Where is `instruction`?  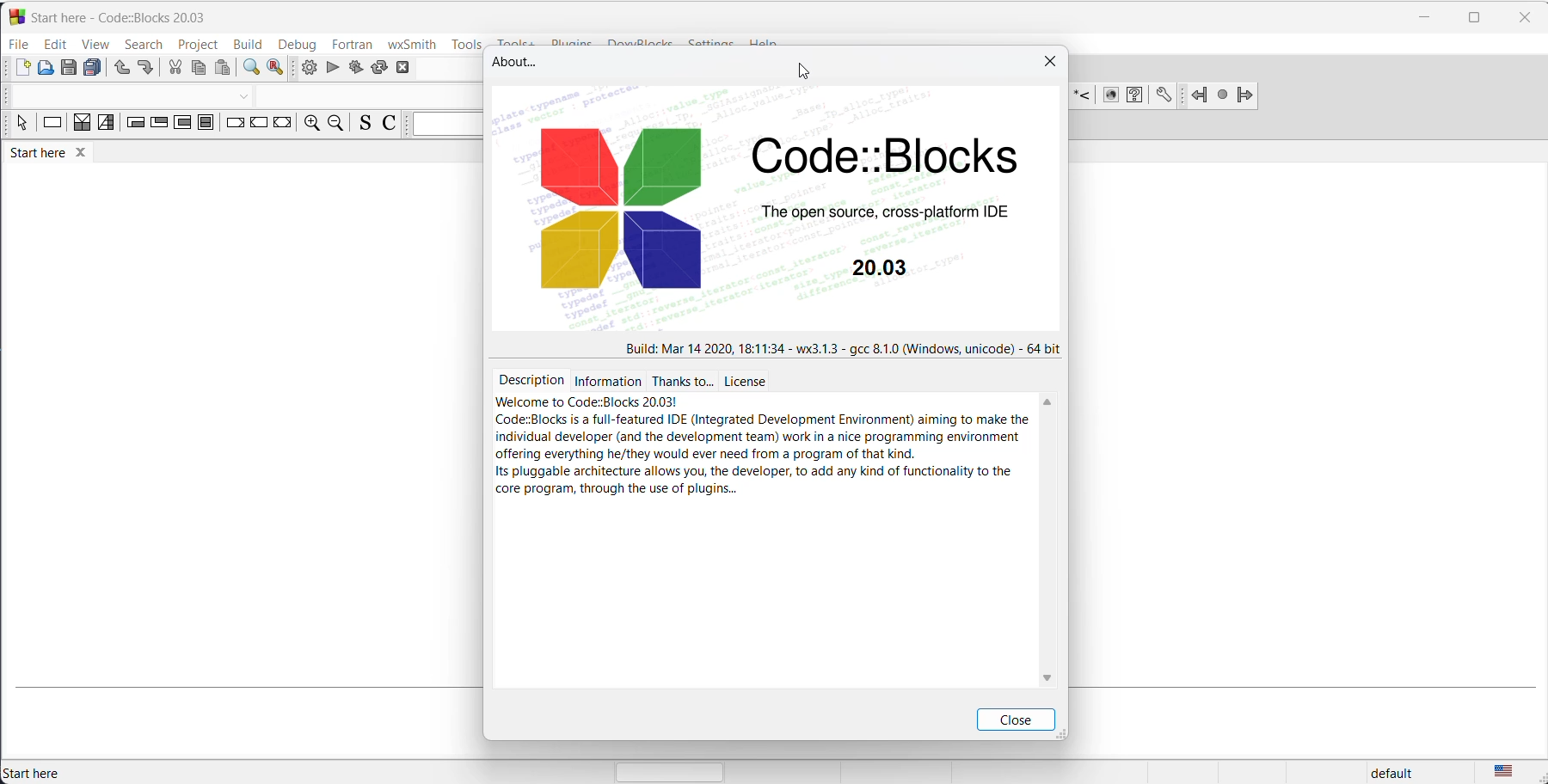
instruction is located at coordinates (52, 125).